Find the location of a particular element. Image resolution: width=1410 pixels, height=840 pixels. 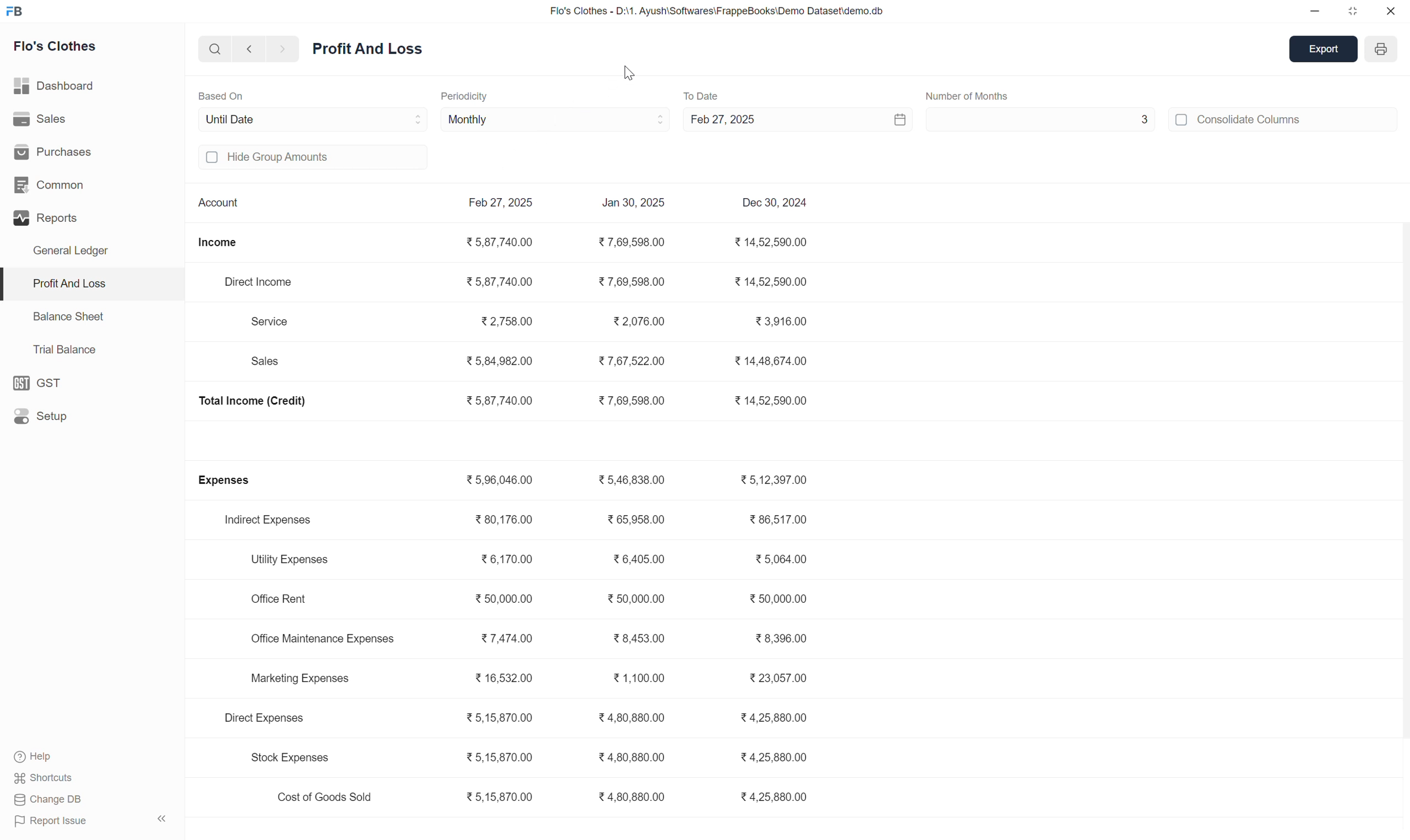

Balance Sheet is located at coordinates (70, 322).